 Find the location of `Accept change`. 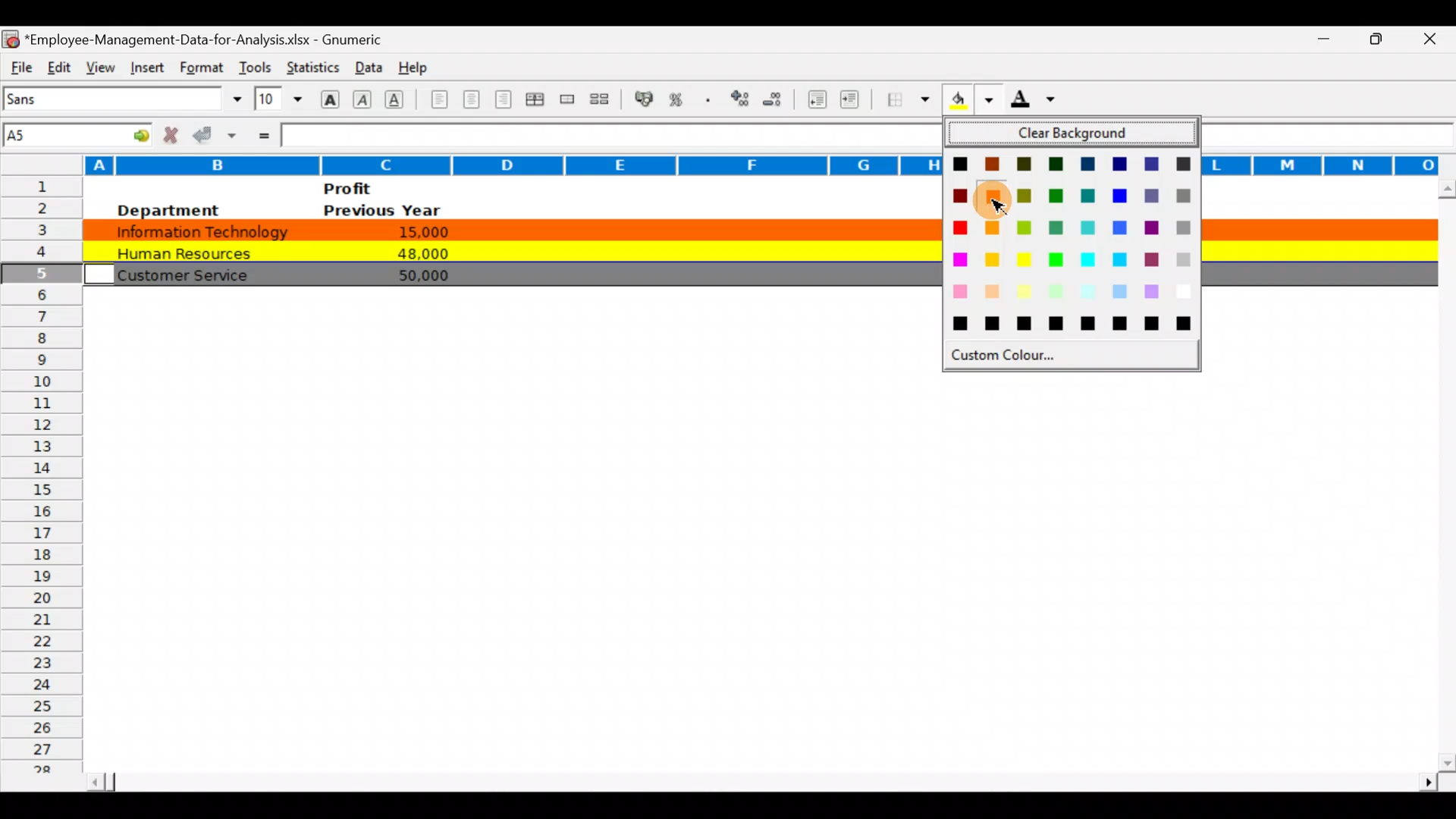

Accept change is located at coordinates (217, 134).